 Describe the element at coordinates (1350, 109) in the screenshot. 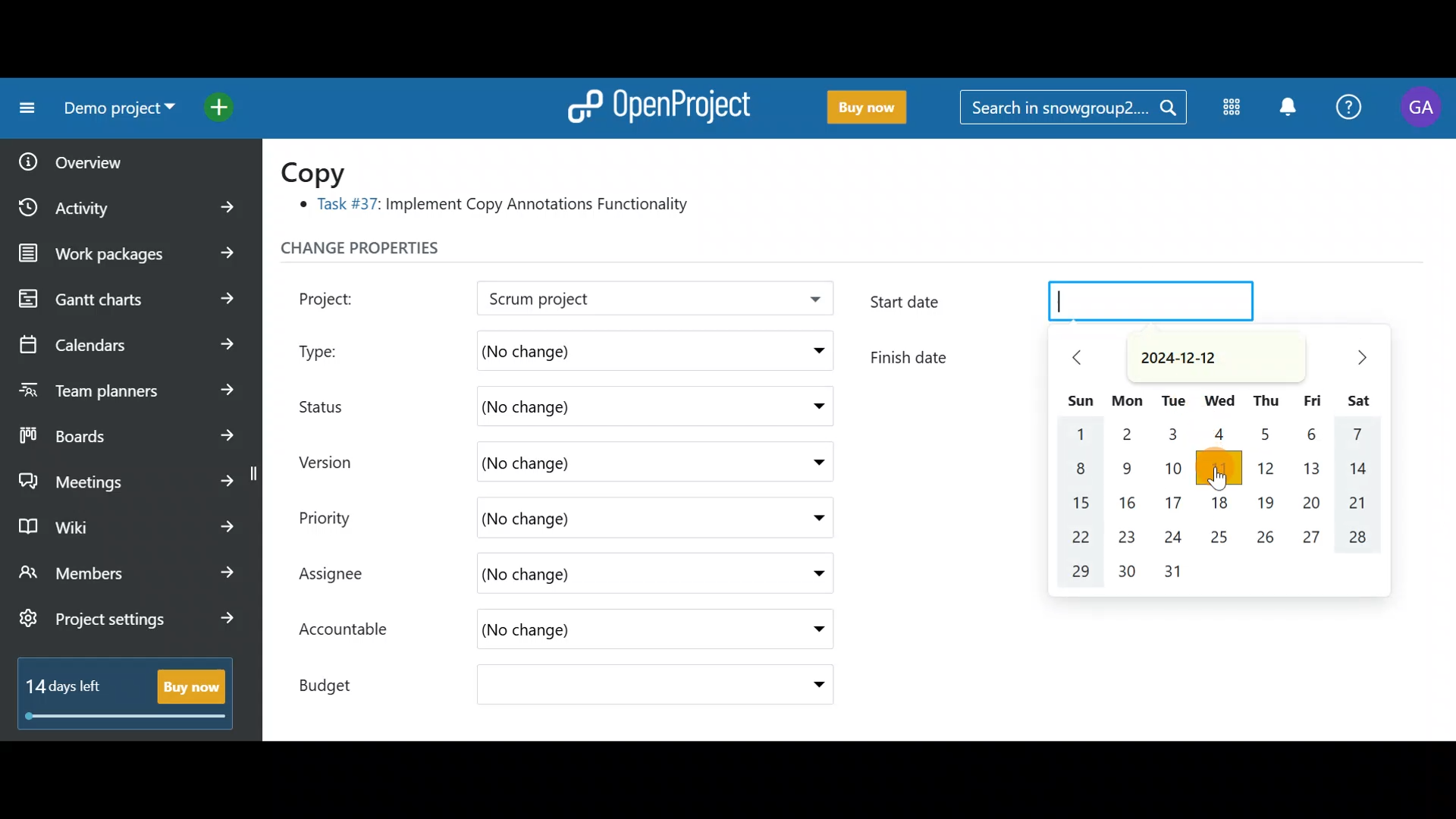

I see `Help` at that location.